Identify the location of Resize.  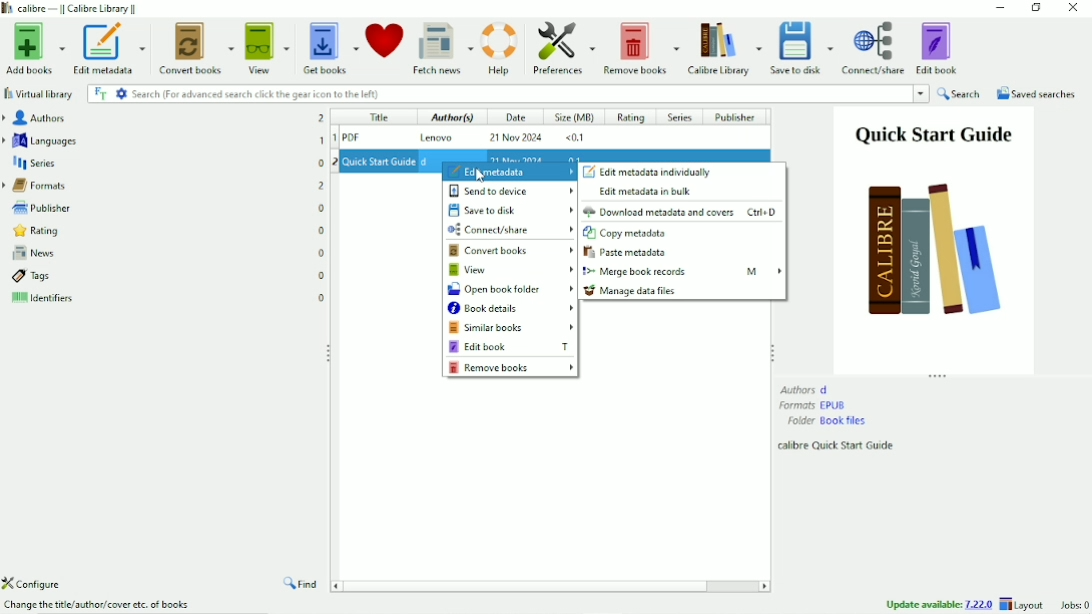
(330, 353).